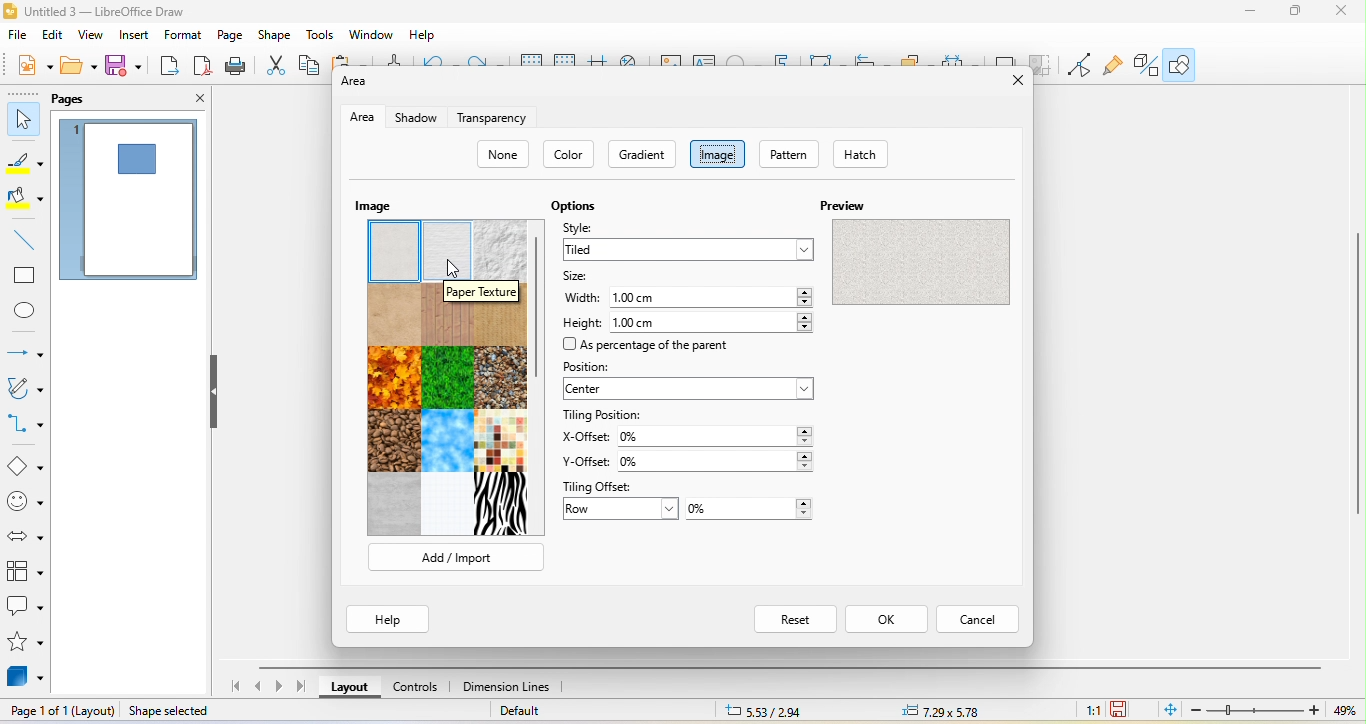 Image resolution: width=1366 pixels, height=724 pixels. I want to click on flowchart, so click(25, 571).